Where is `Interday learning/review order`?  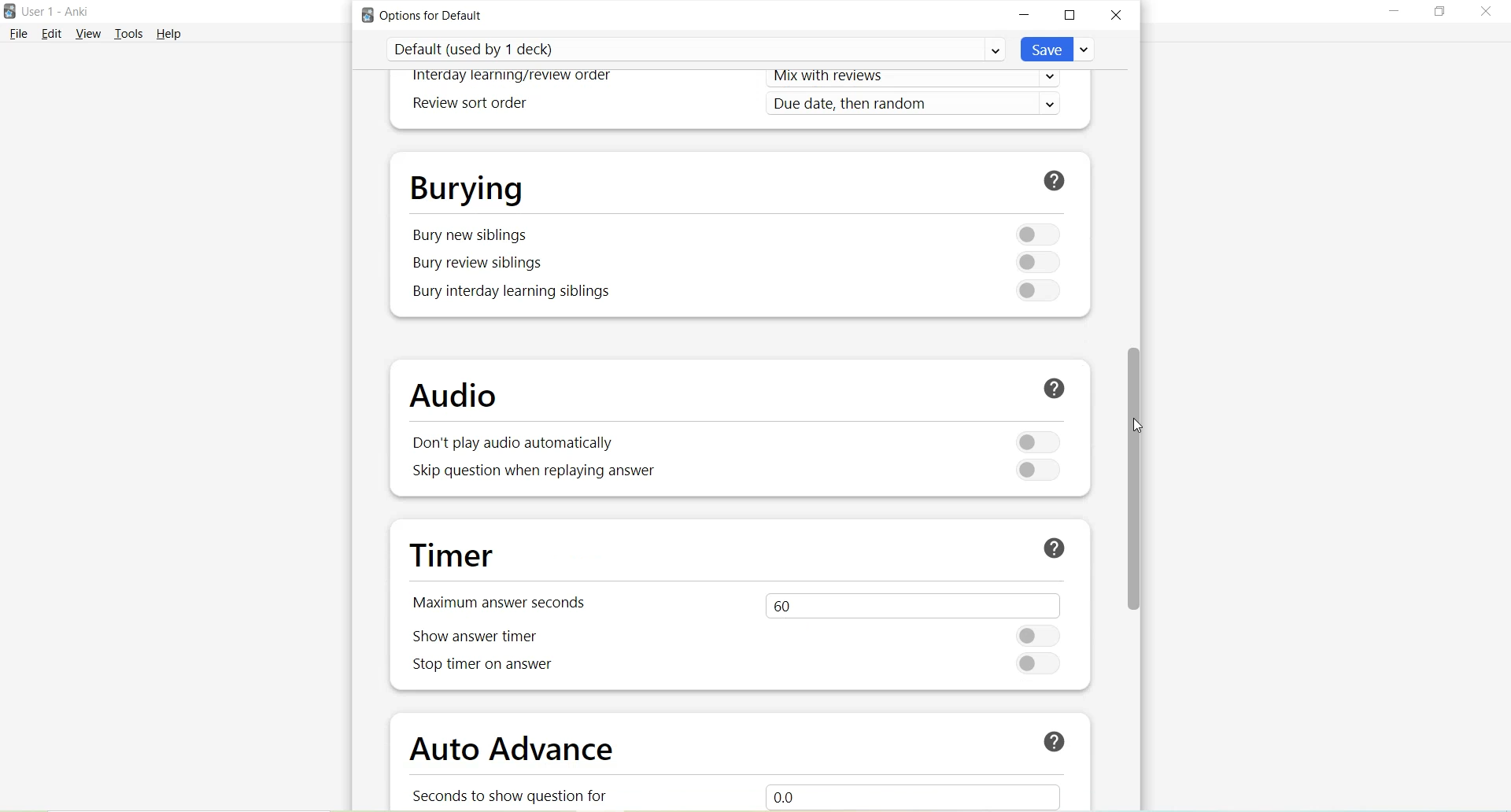 Interday learning/review order is located at coordinates (513, 77).